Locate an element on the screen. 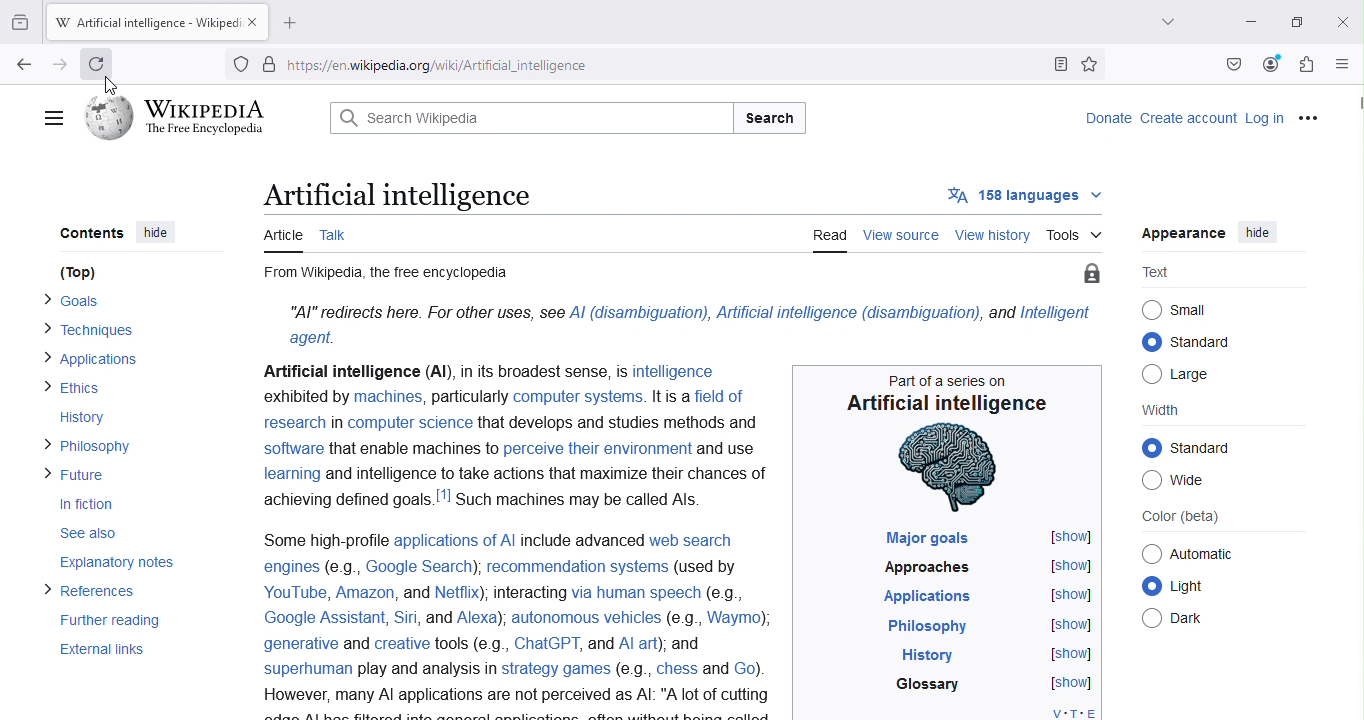  Read is located at coordinates (829, 235).